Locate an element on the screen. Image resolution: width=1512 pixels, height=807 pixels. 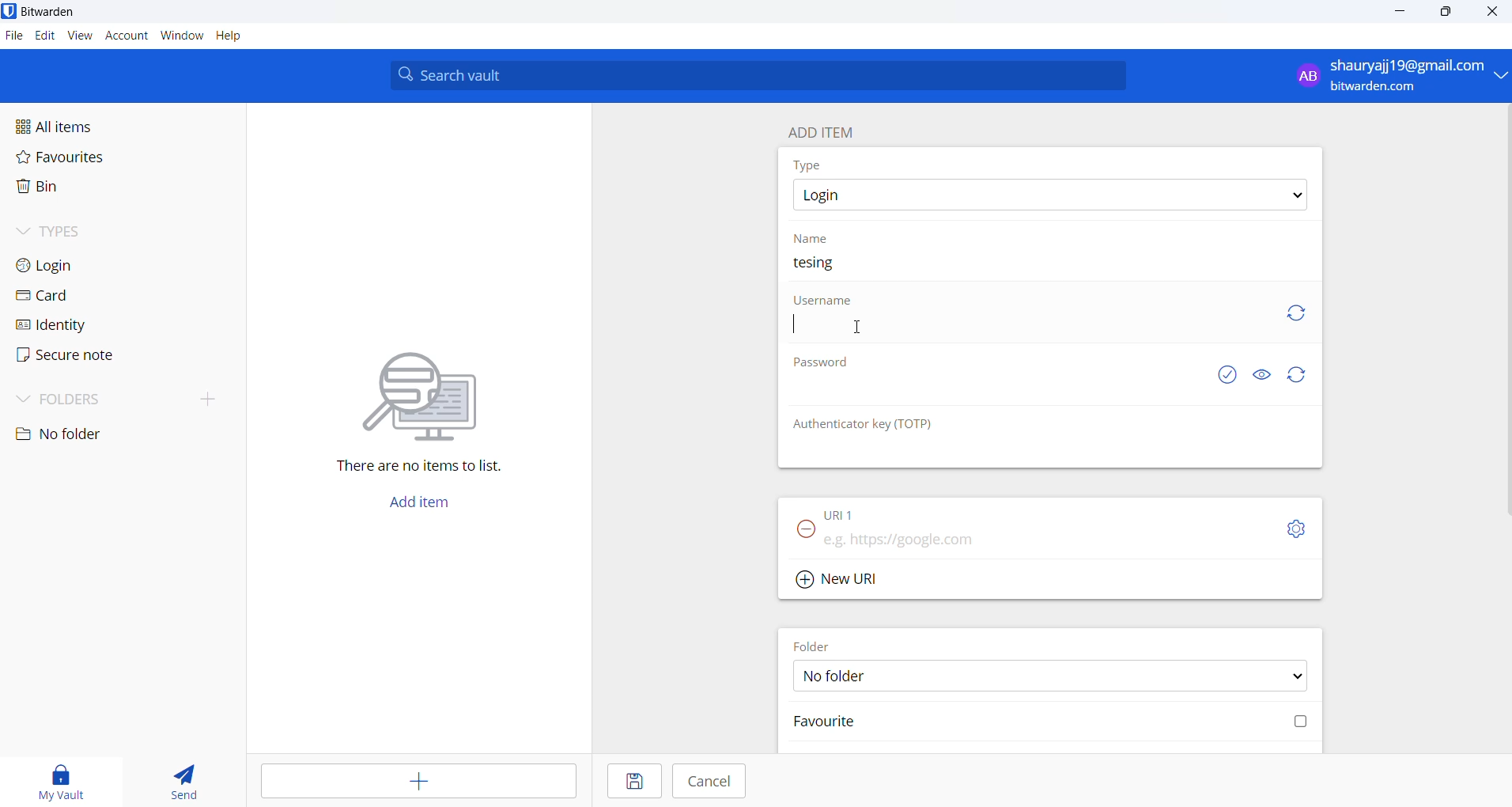
add item heading is located at coordinates (827, 131).